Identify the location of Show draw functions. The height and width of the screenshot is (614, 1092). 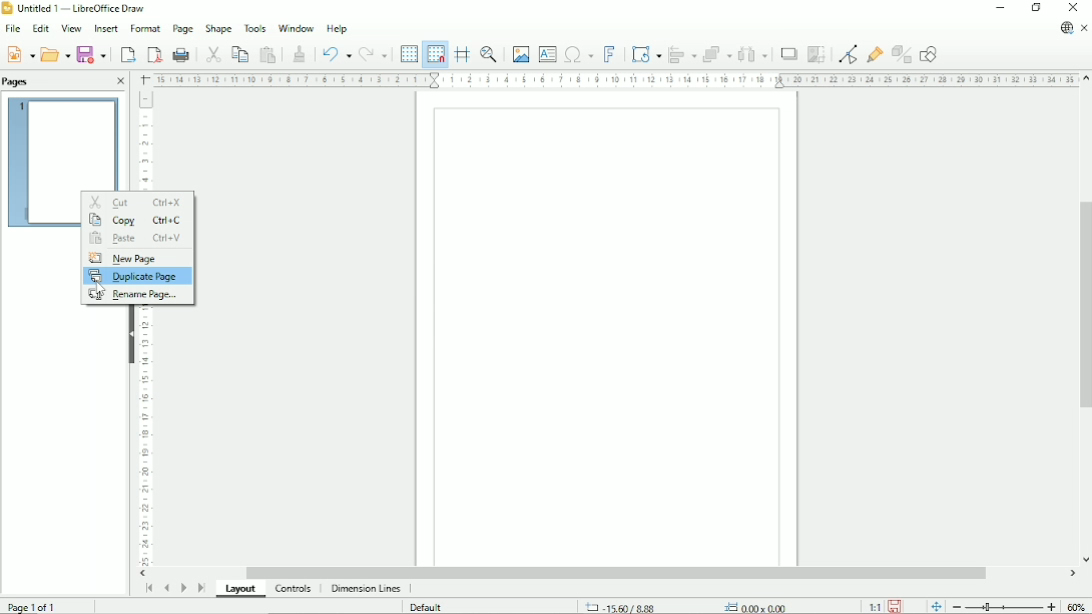
(928, 54).